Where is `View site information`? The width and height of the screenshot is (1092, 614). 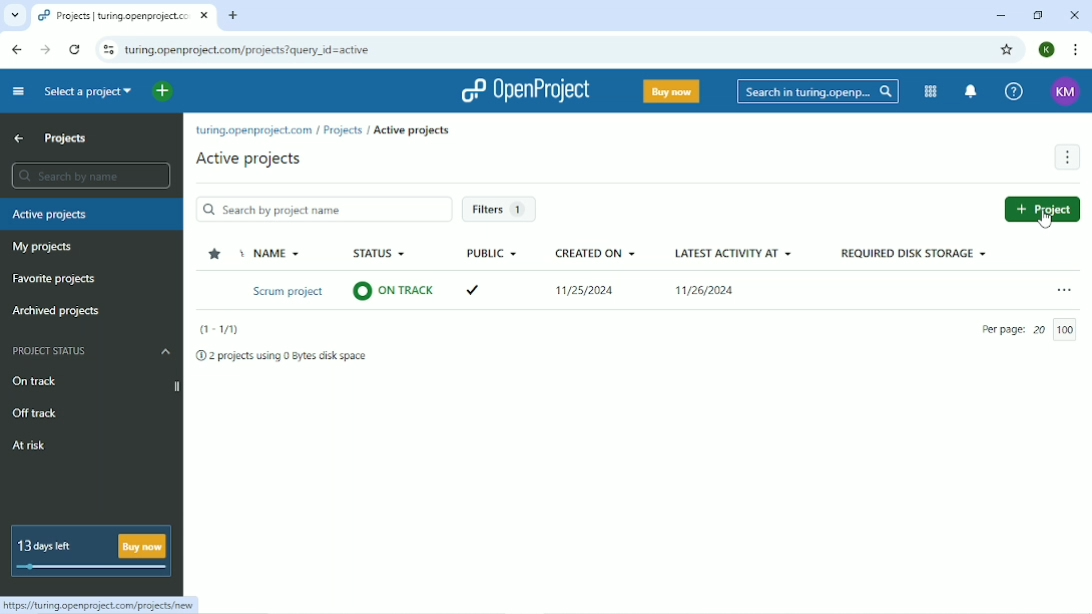 View site information is located at coordinates (106, 49).